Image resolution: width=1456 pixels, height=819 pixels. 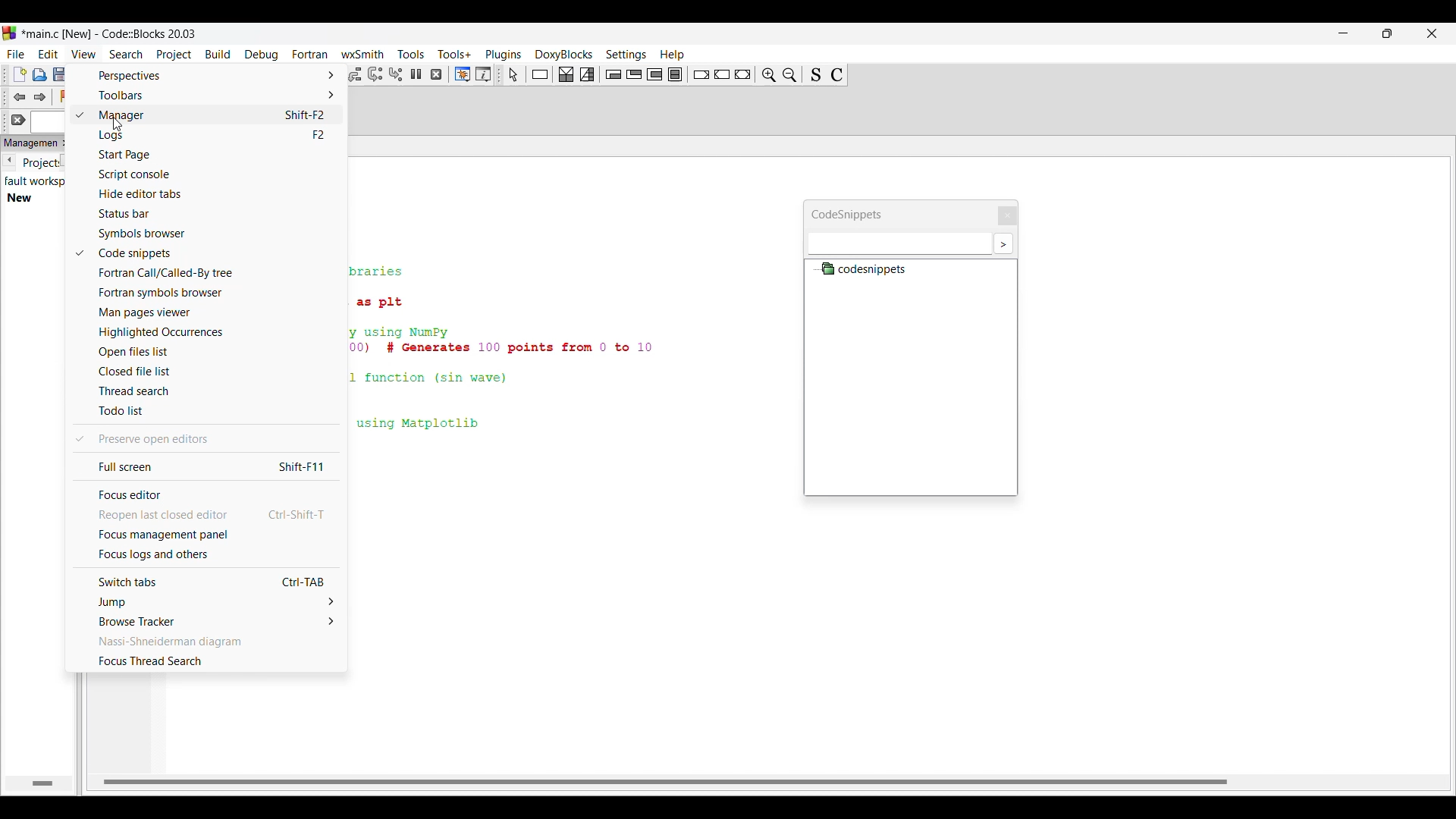 What do you see at coordinates (262, 55) in the screenshot?
I see `Debug menu` at bounding box center [262, 55].